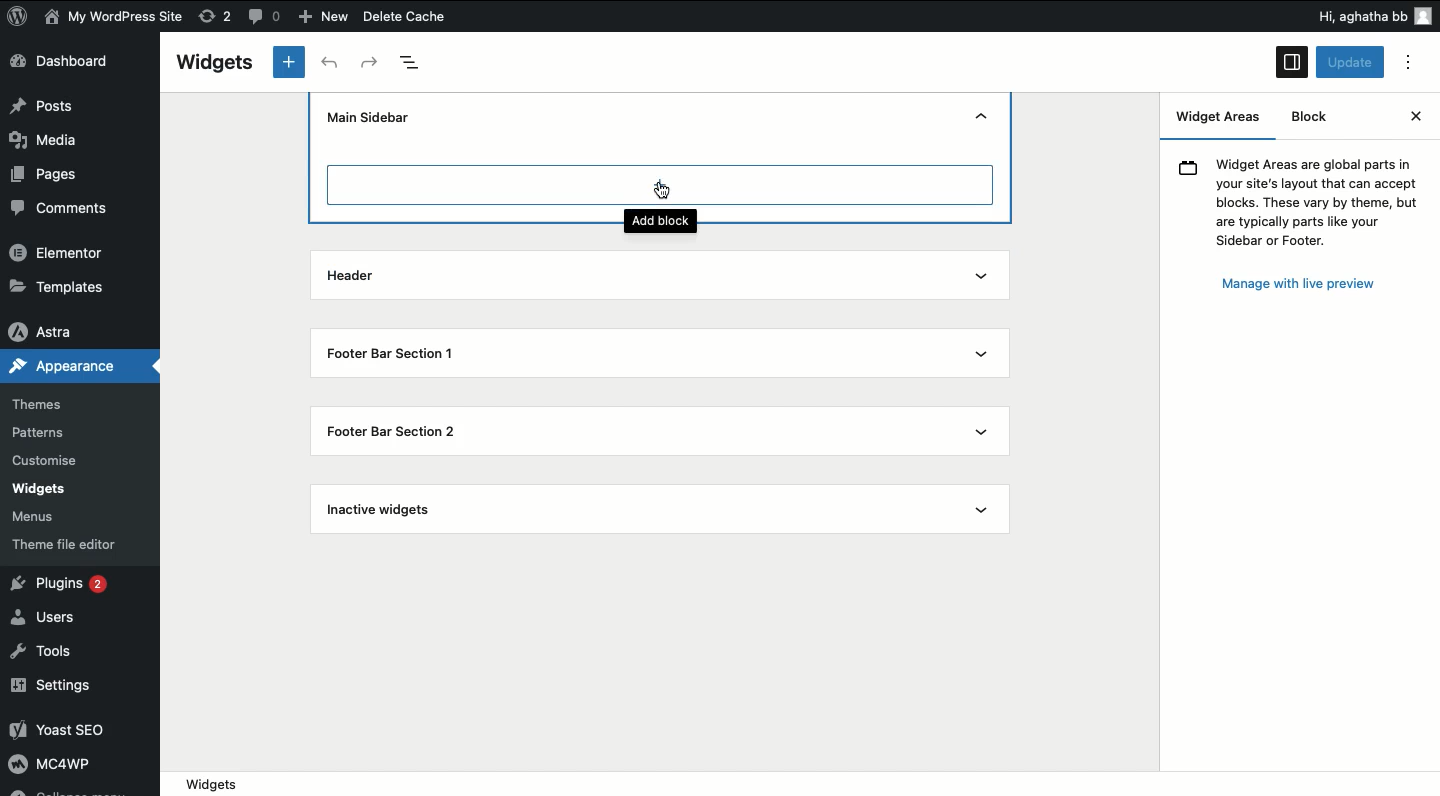 The width and height of the screenshot is (1440, 796). Describe the element at coordinates (386, 510) in the screenshot. I see `Inactive widgets` at that location.